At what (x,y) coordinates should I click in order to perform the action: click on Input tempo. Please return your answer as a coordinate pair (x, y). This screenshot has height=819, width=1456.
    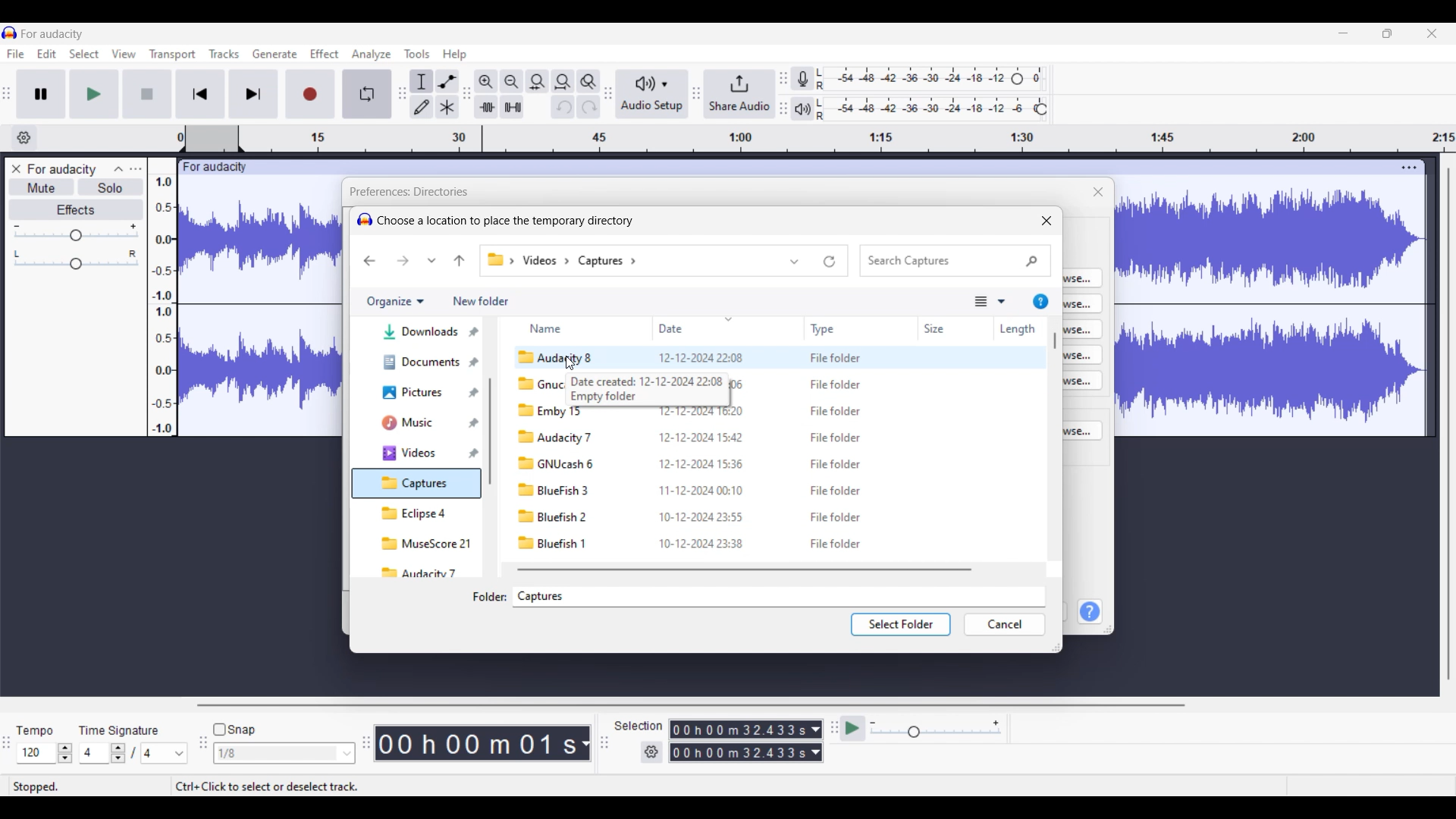
    Looking at the image, I should click on (36, 753).